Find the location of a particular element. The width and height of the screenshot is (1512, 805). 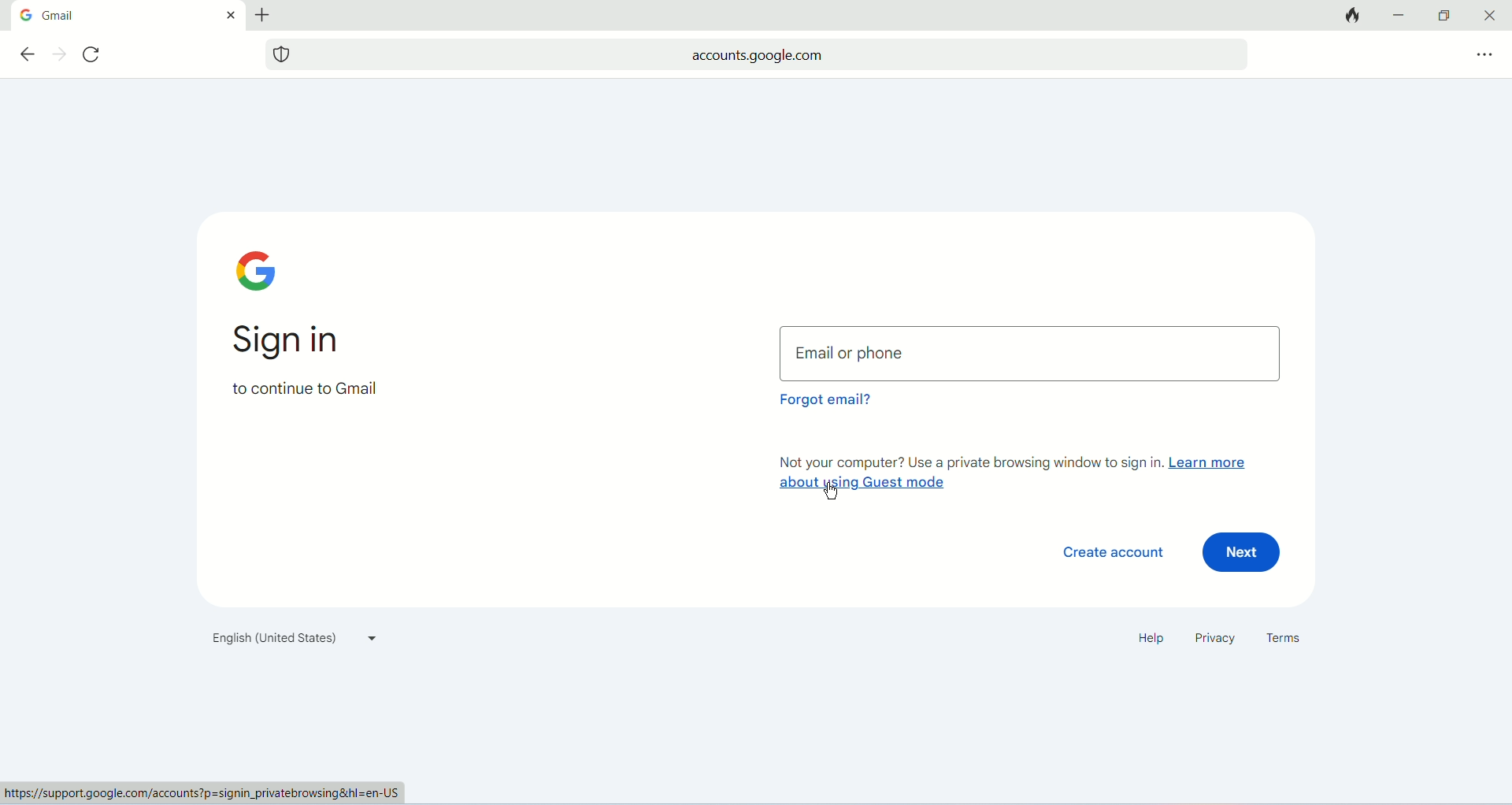

to continue to gmail is located at coordinates (304, 395).